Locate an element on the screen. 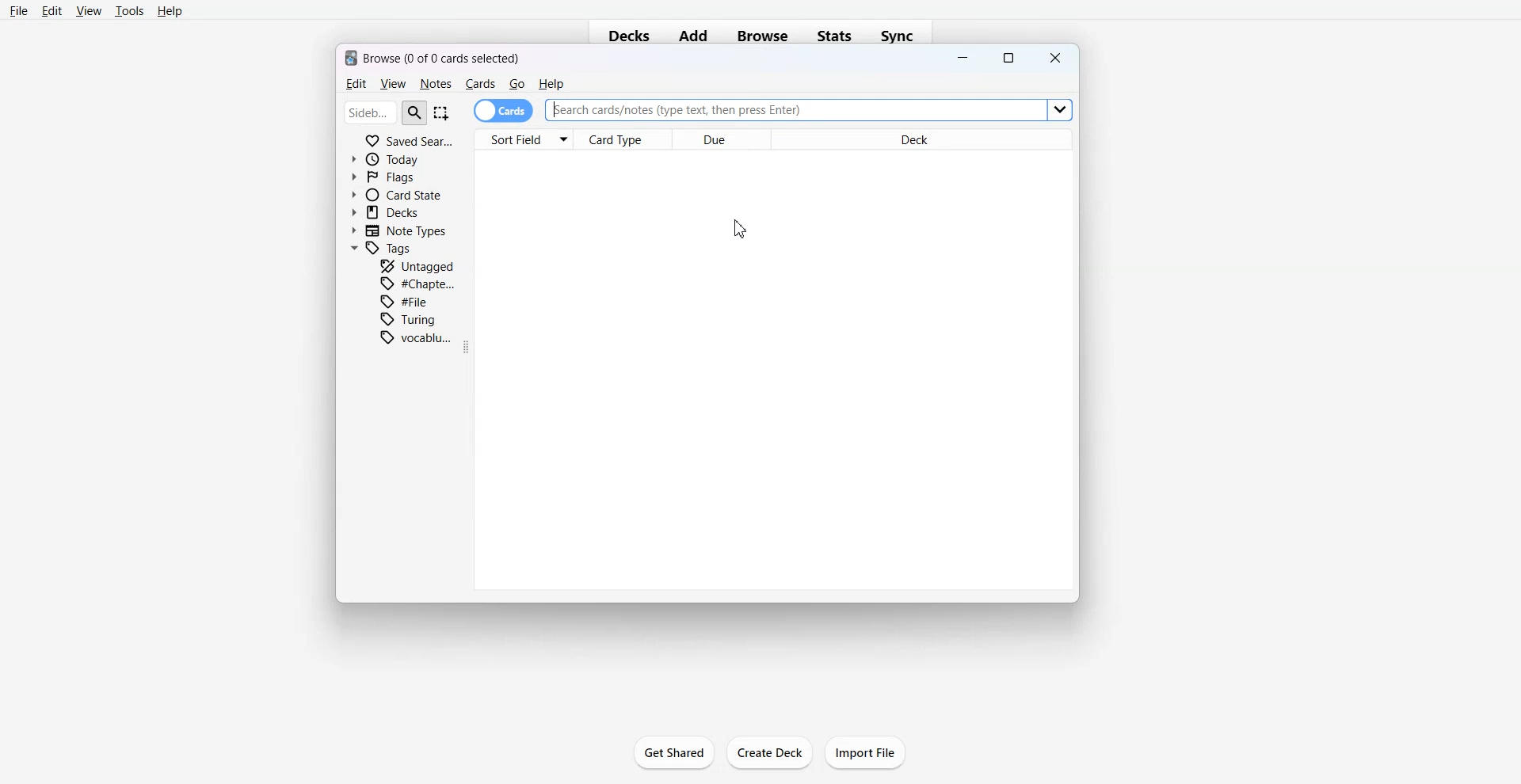  Untagged is located at coordinates (417, 265).